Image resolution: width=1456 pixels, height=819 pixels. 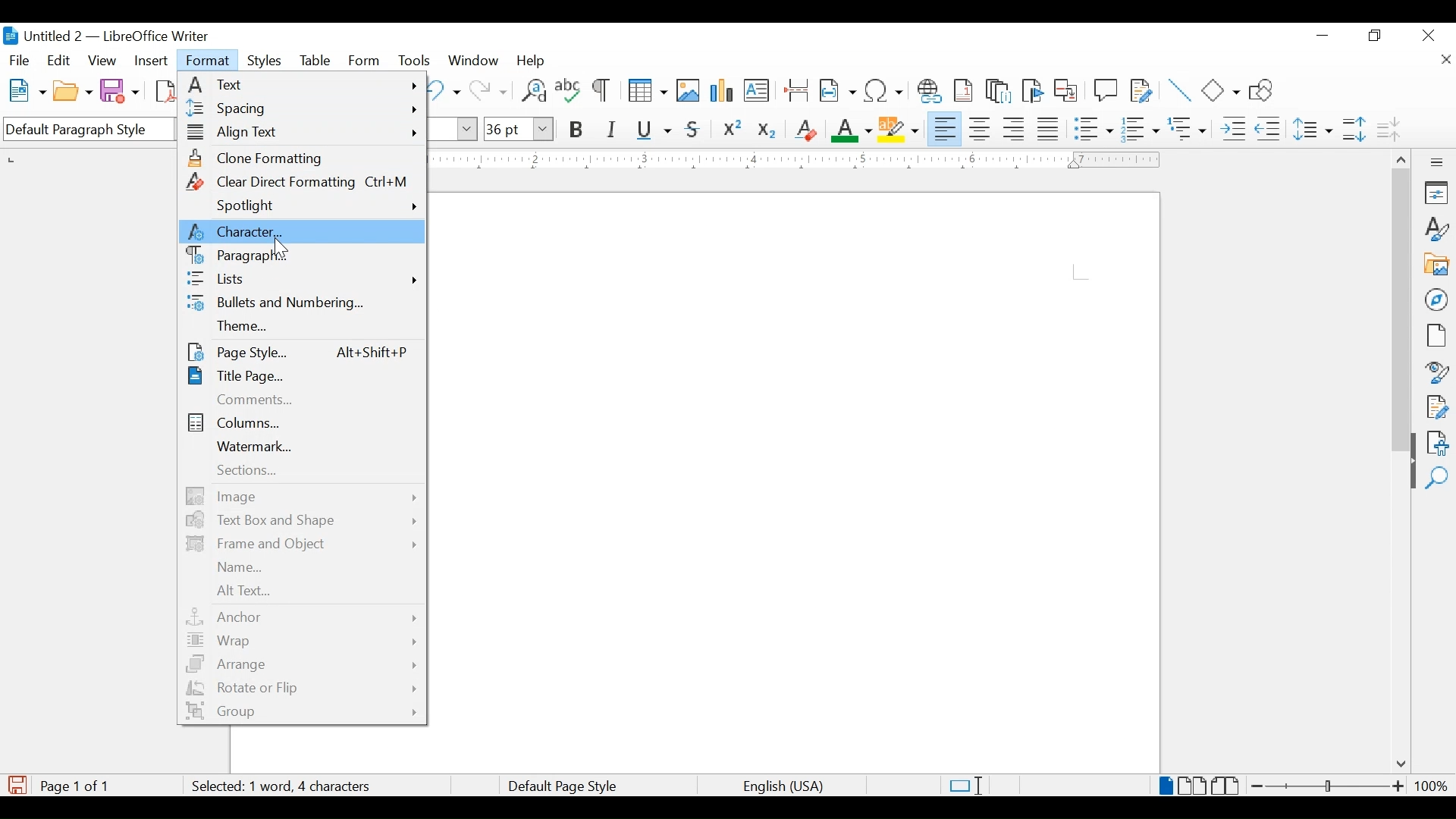 What do you see at coordinates (209, 61) in the screenshot?
I see `format highlighted` at bounding box center [209, 61].